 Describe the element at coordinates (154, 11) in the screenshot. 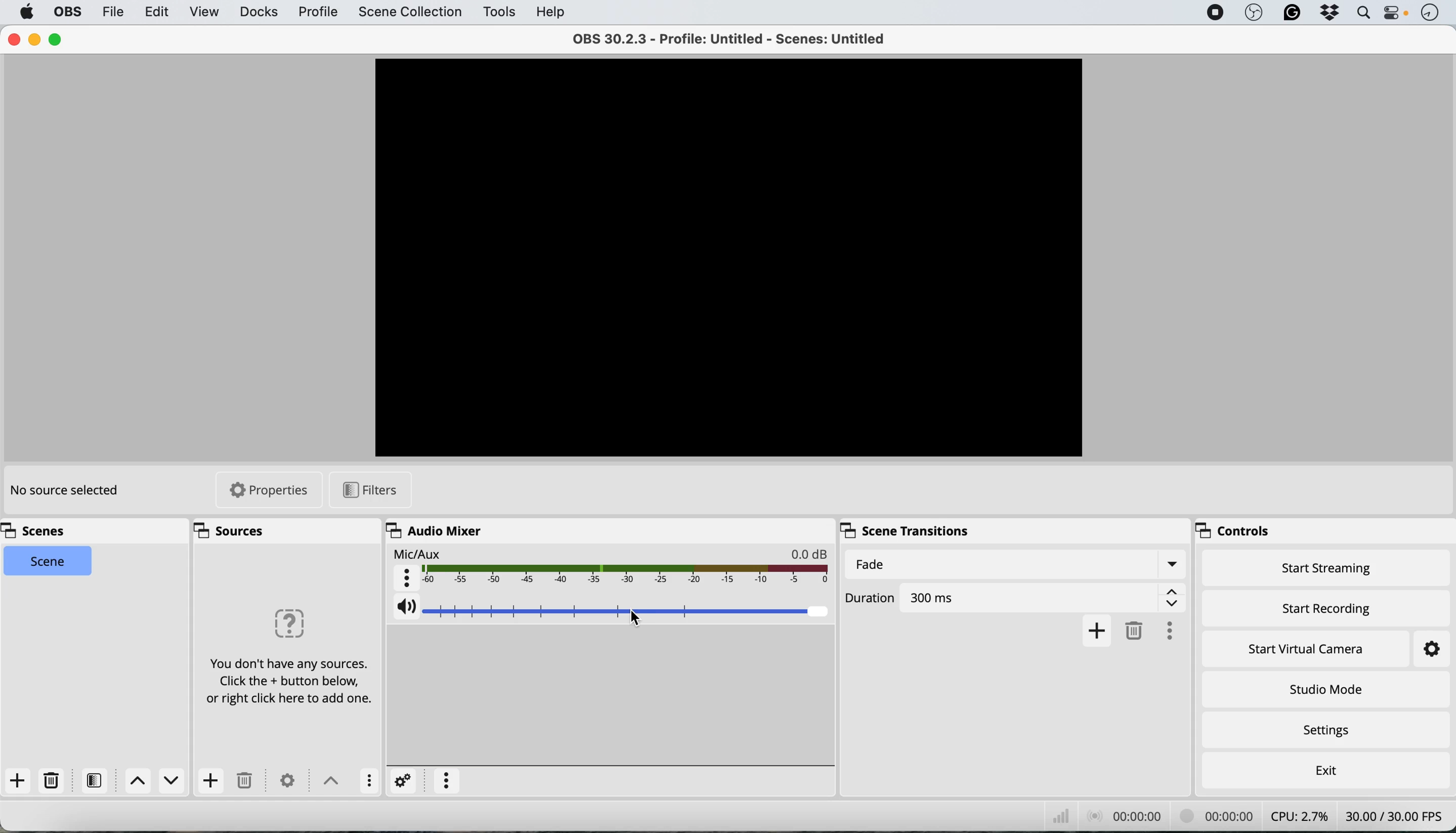

I see `edit` at that location.